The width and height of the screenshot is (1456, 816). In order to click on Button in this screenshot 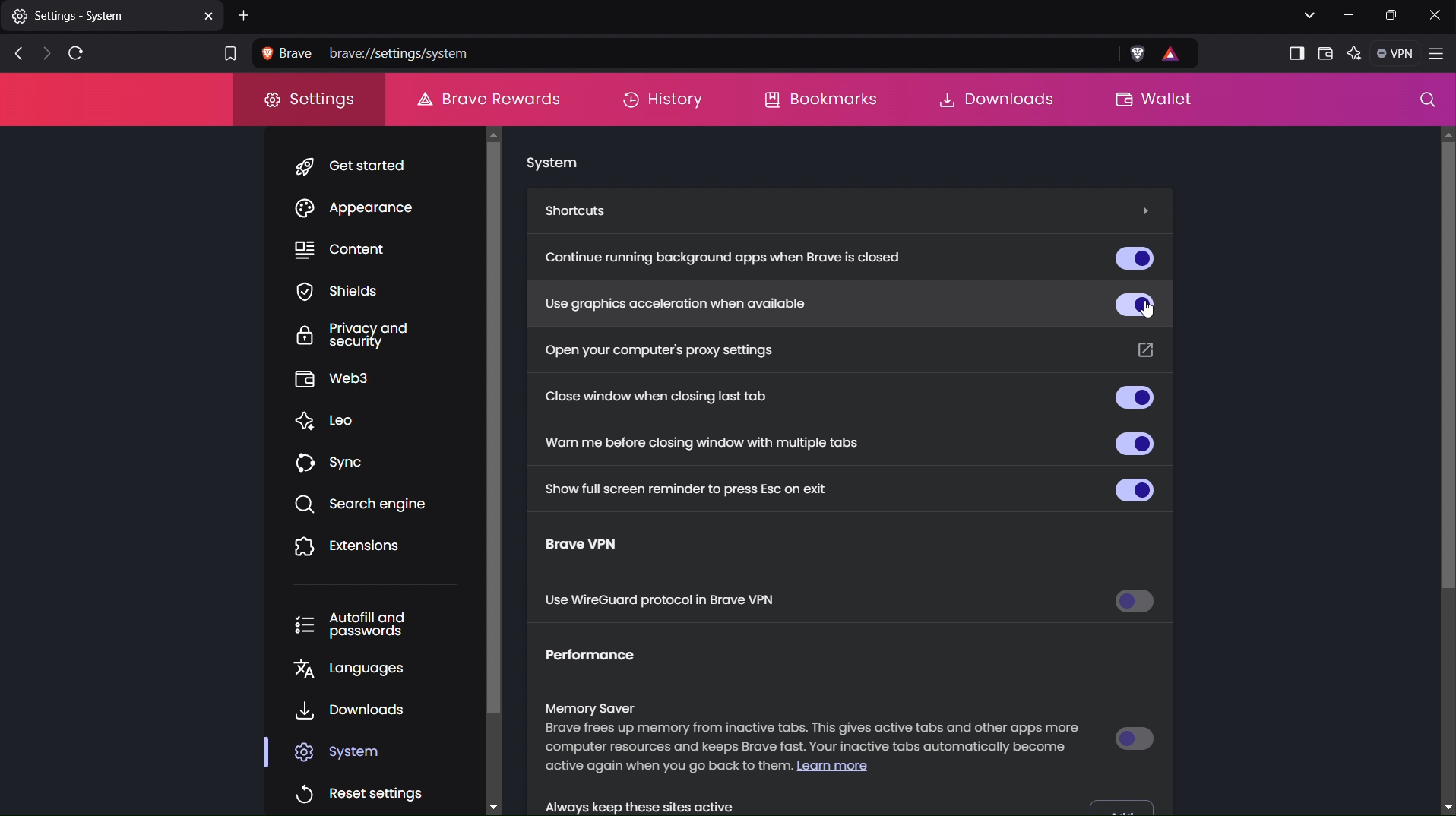, I will do `click(1133, 399)`.